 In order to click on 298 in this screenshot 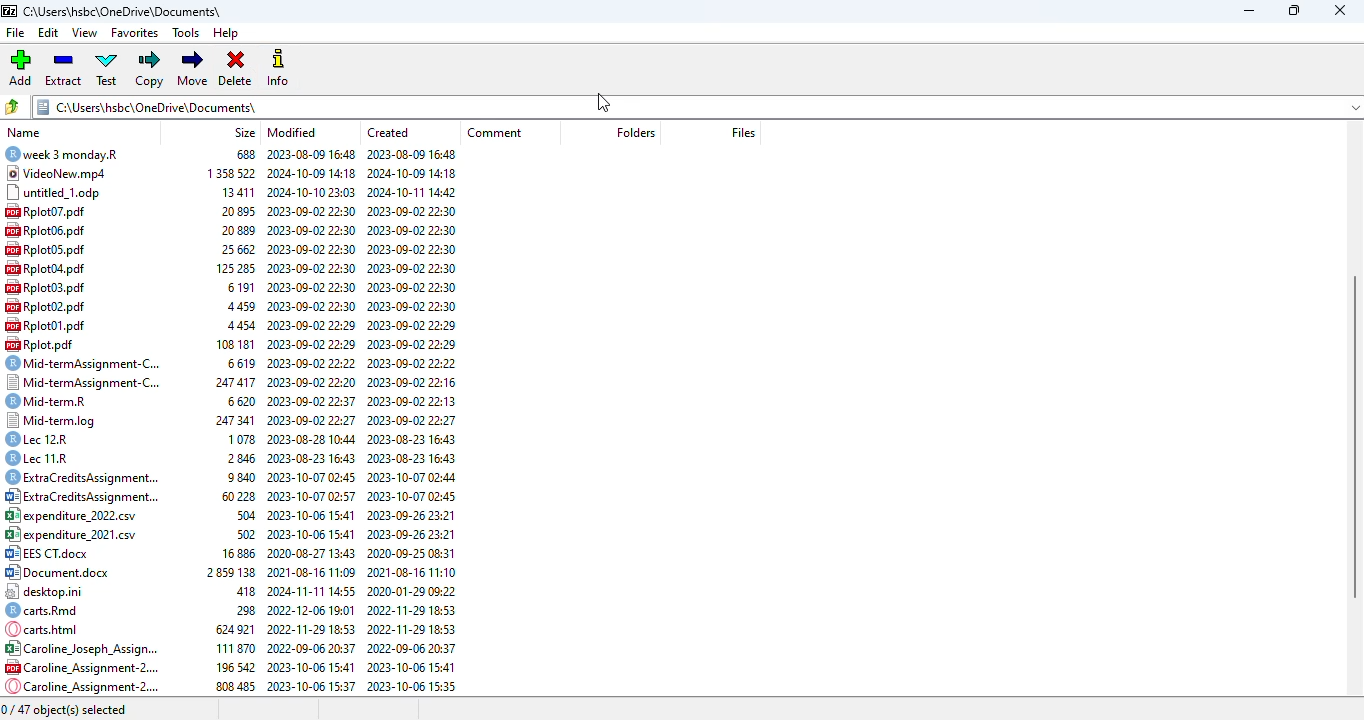, I will do `click(241, 609)`.